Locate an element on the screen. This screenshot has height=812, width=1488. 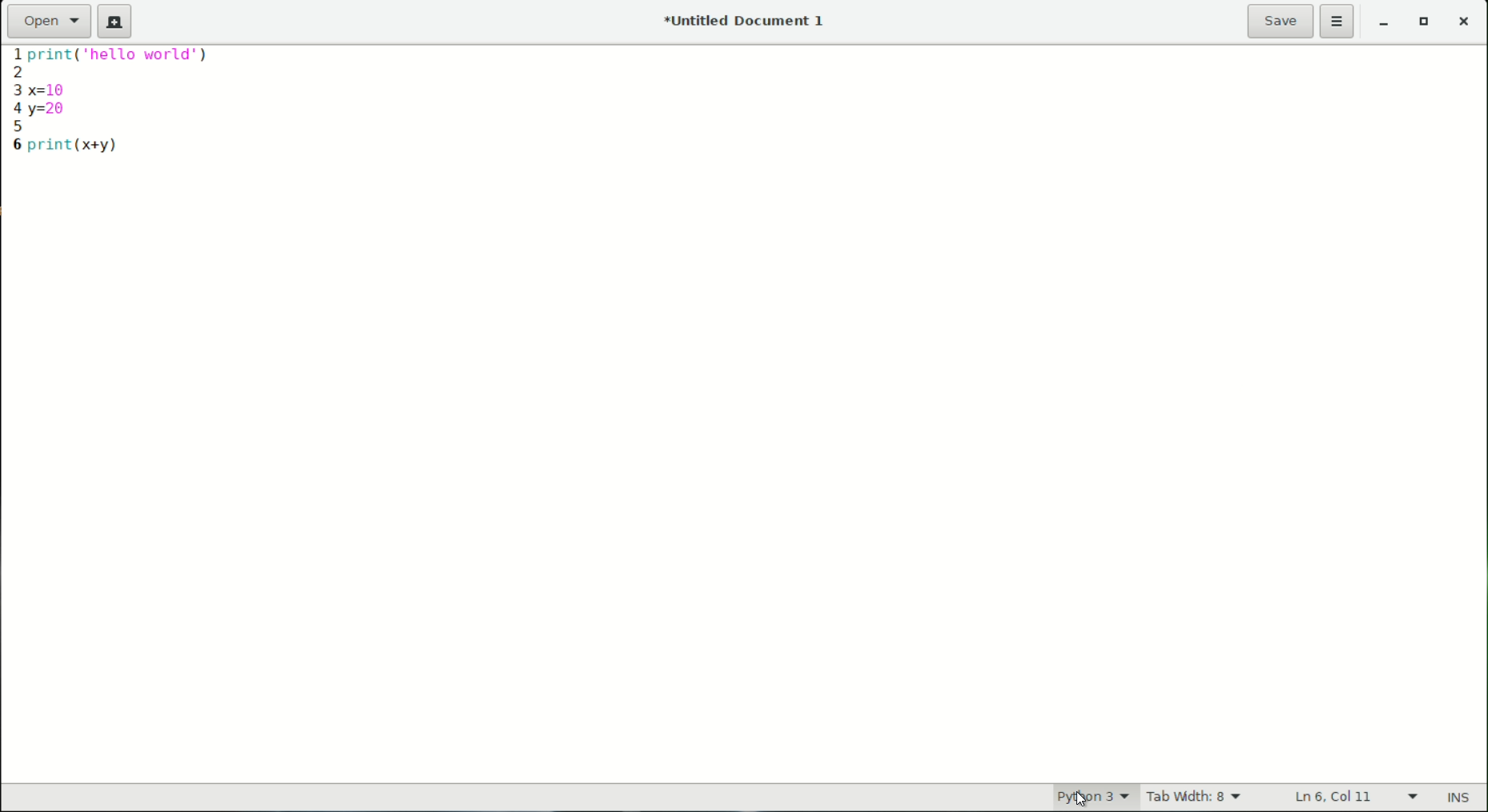
cursor is located at coordinates (1081, 799).